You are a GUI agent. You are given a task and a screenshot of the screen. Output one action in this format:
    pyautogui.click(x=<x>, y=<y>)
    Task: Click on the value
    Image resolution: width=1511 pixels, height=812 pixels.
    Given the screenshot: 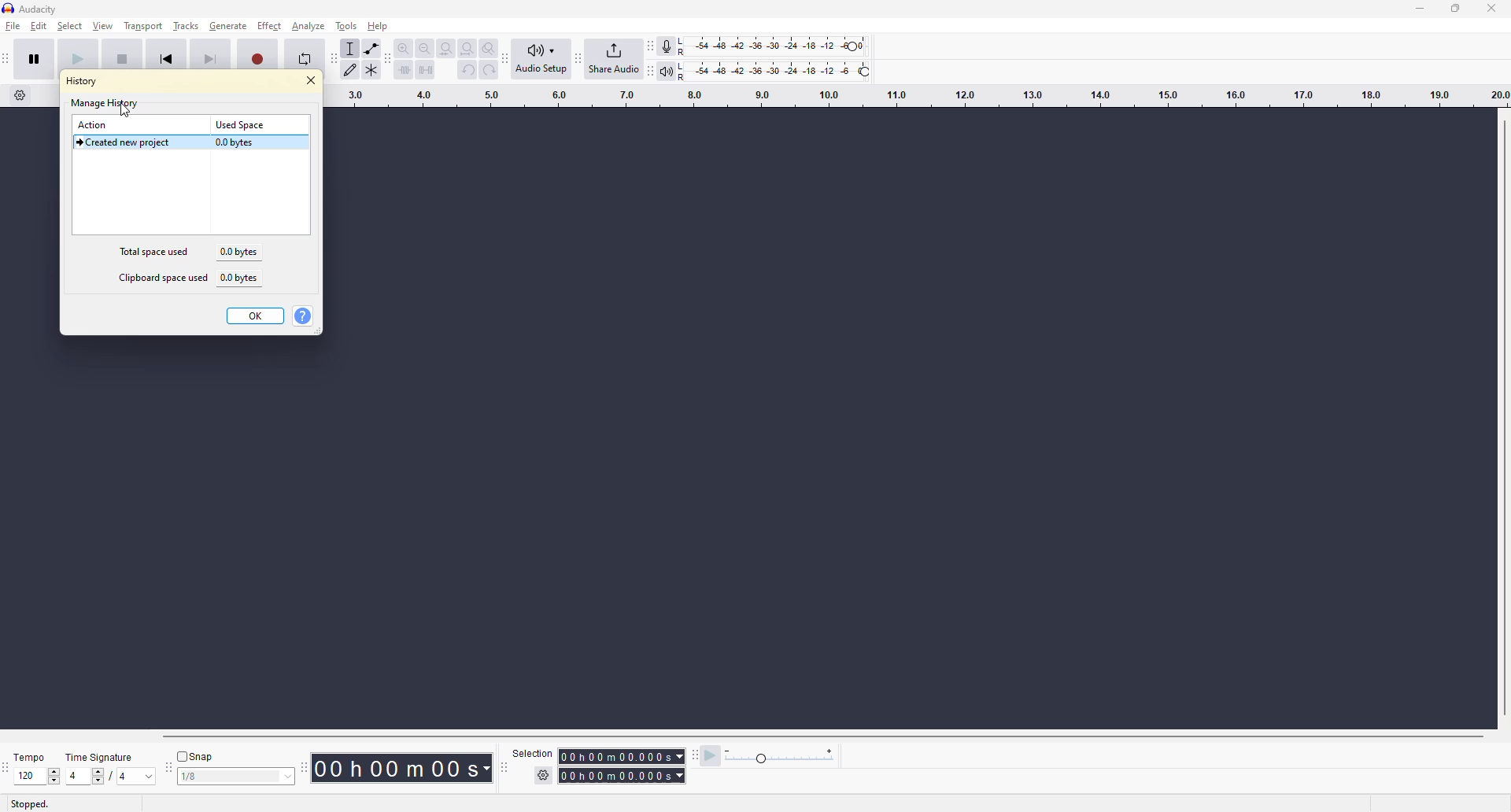 What is the action you would take?
    pyautogui.click(x=87, y=776)
    